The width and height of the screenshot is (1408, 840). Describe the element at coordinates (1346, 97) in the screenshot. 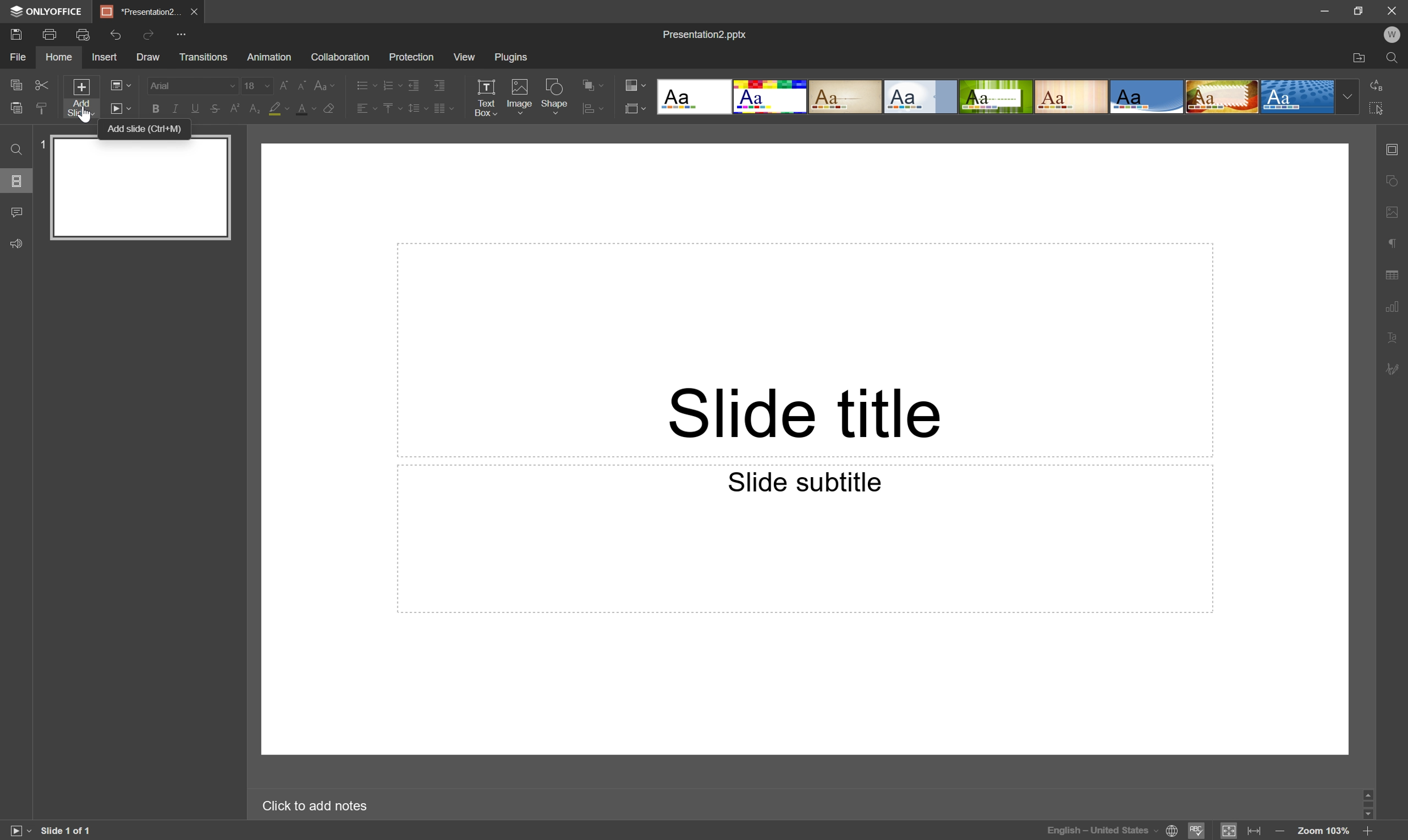

I see `Drop Down` at that location.